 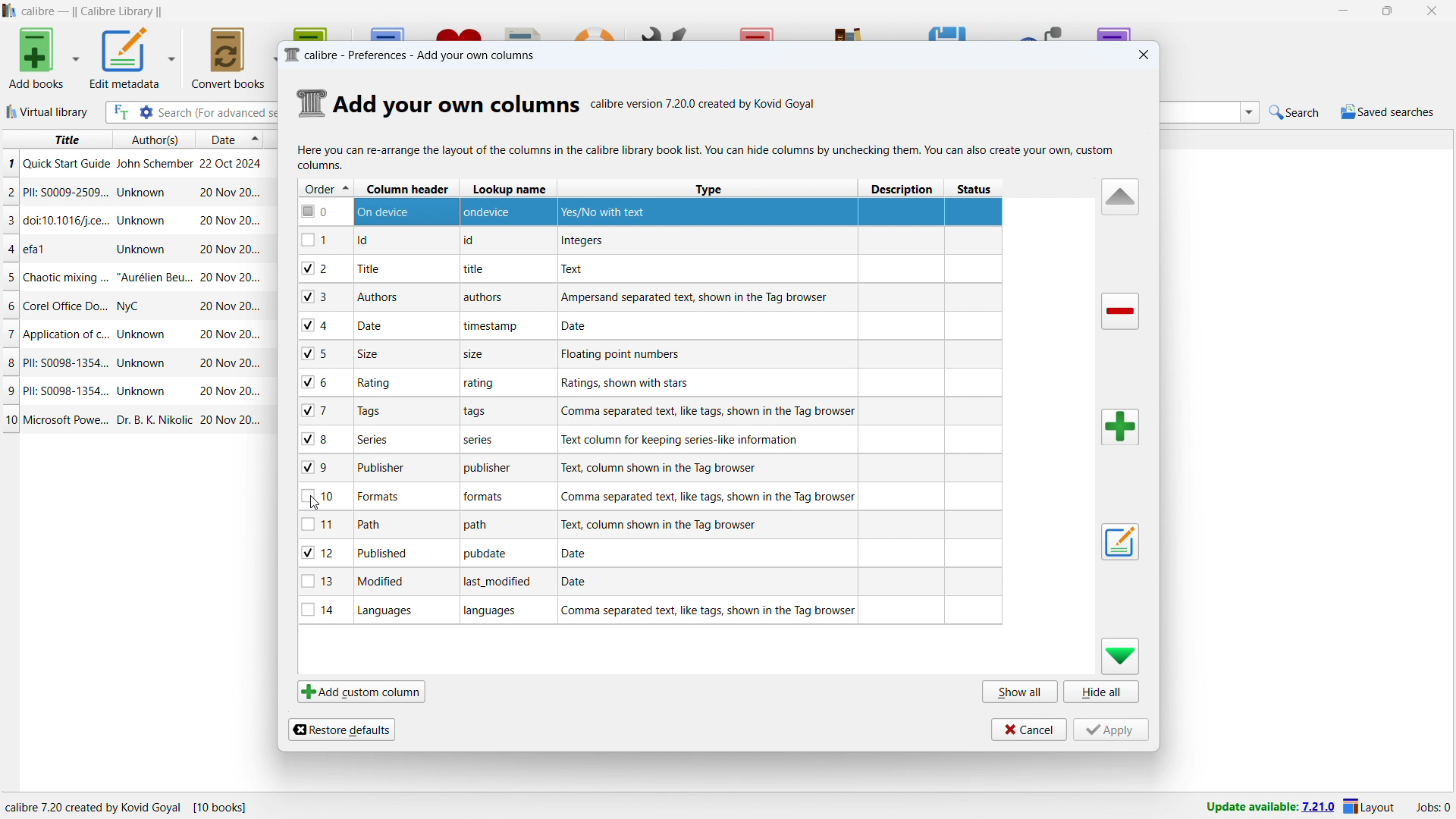 I want to click on maximize, so click(x=1388, y=11).